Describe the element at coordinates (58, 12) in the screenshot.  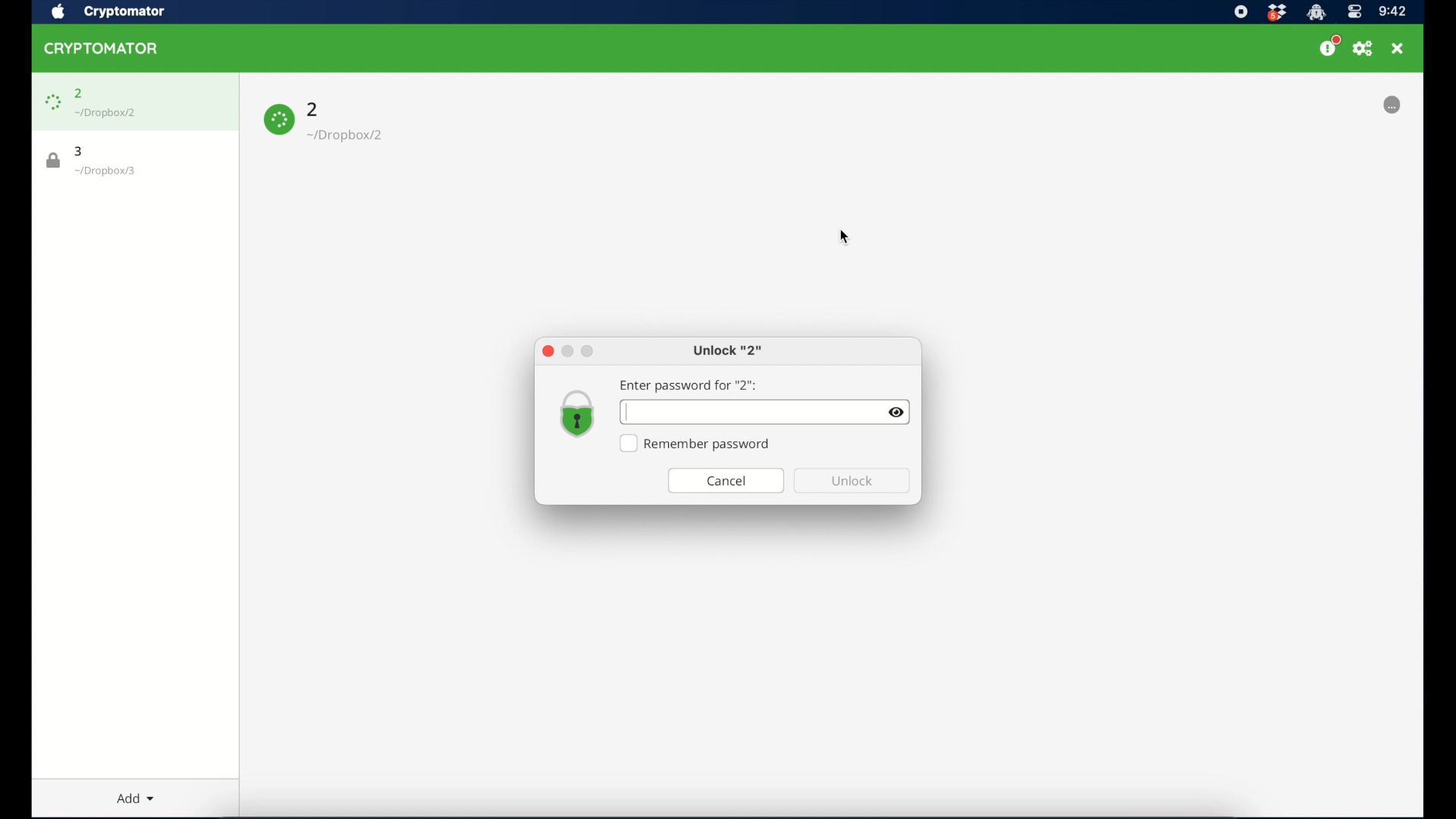
I see `apple icon` at that location.